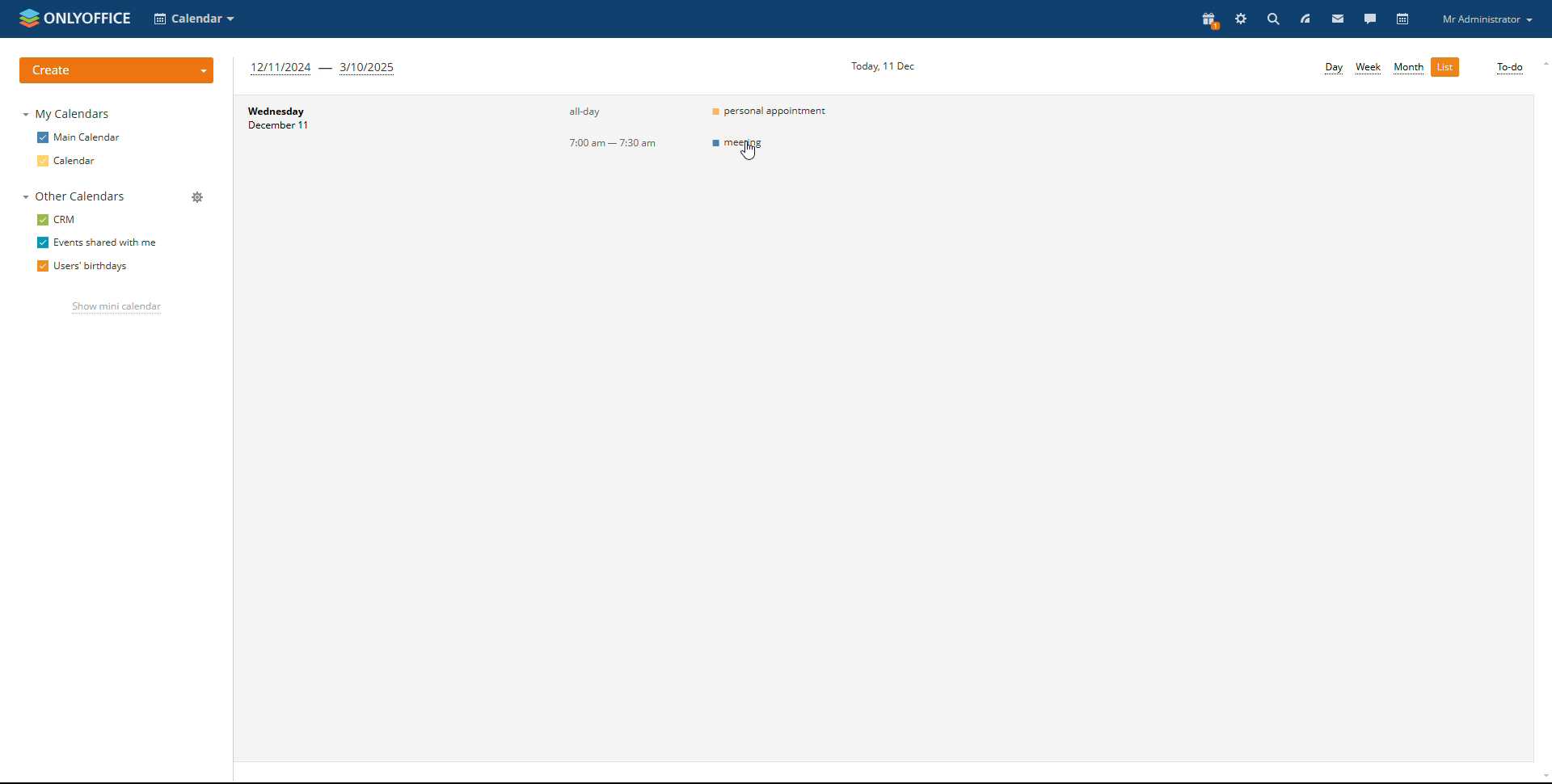 Image resolution: width=1552 pixels, height=784 pixels. Describe the element at coordinates (879, 64) in the screenshot. I see `current date` at that location.